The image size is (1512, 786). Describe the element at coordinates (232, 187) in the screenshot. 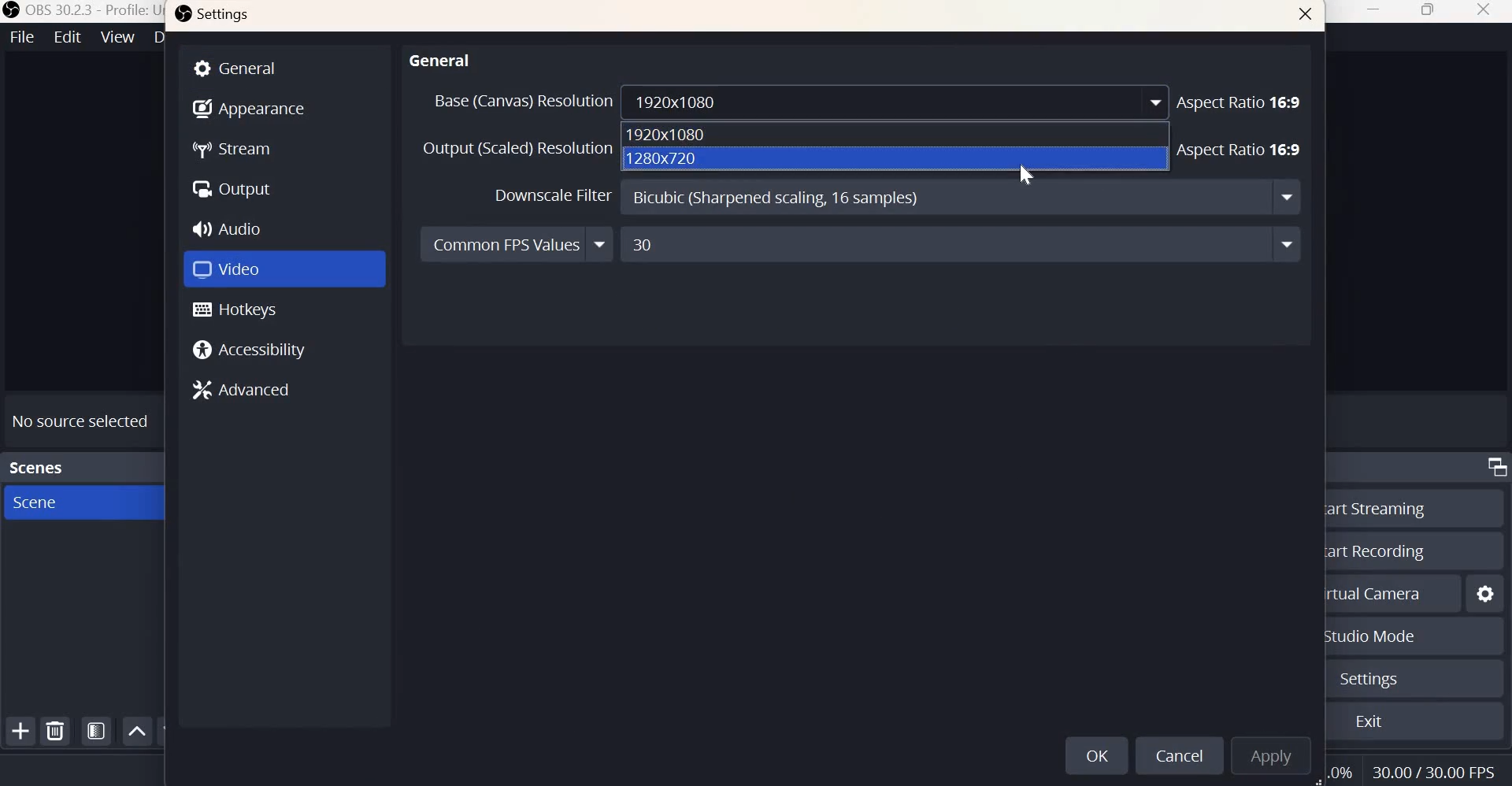

I see `Output` at that location.